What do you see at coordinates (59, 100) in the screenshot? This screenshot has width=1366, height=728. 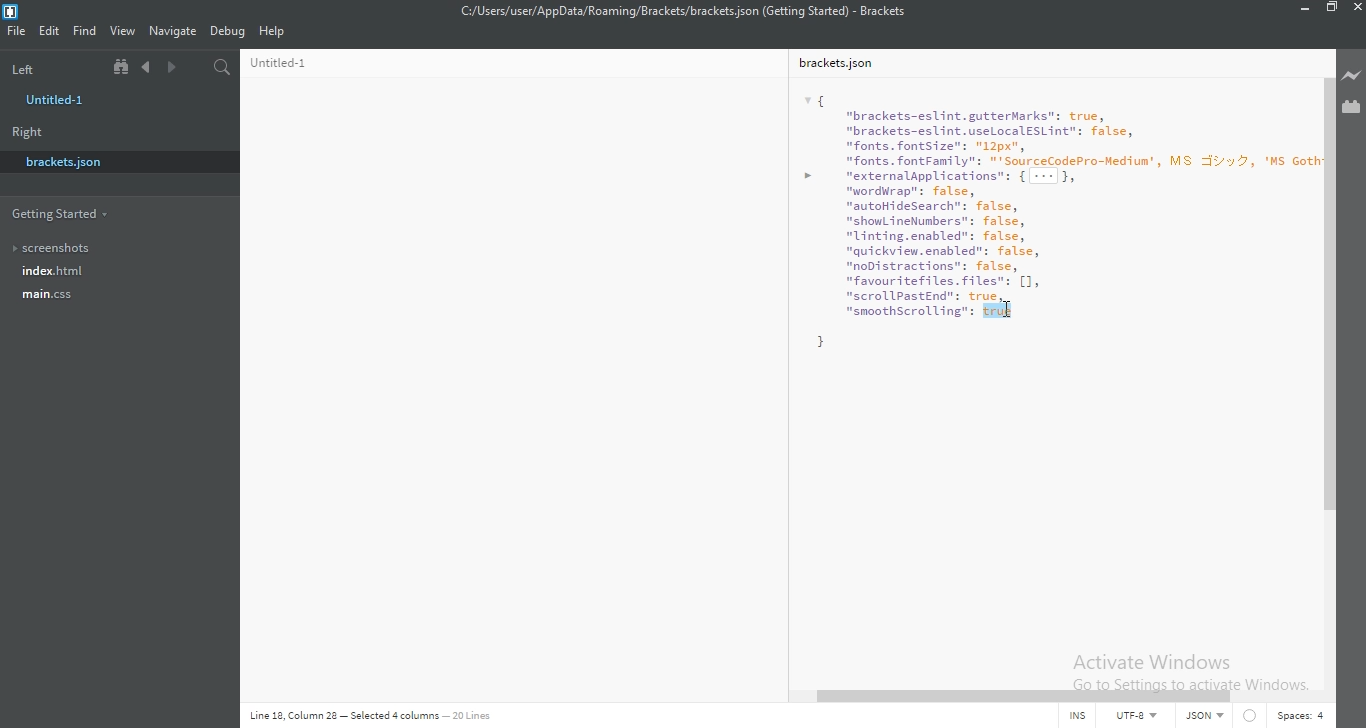 I see `untitled` at bounding box center [59, 100].